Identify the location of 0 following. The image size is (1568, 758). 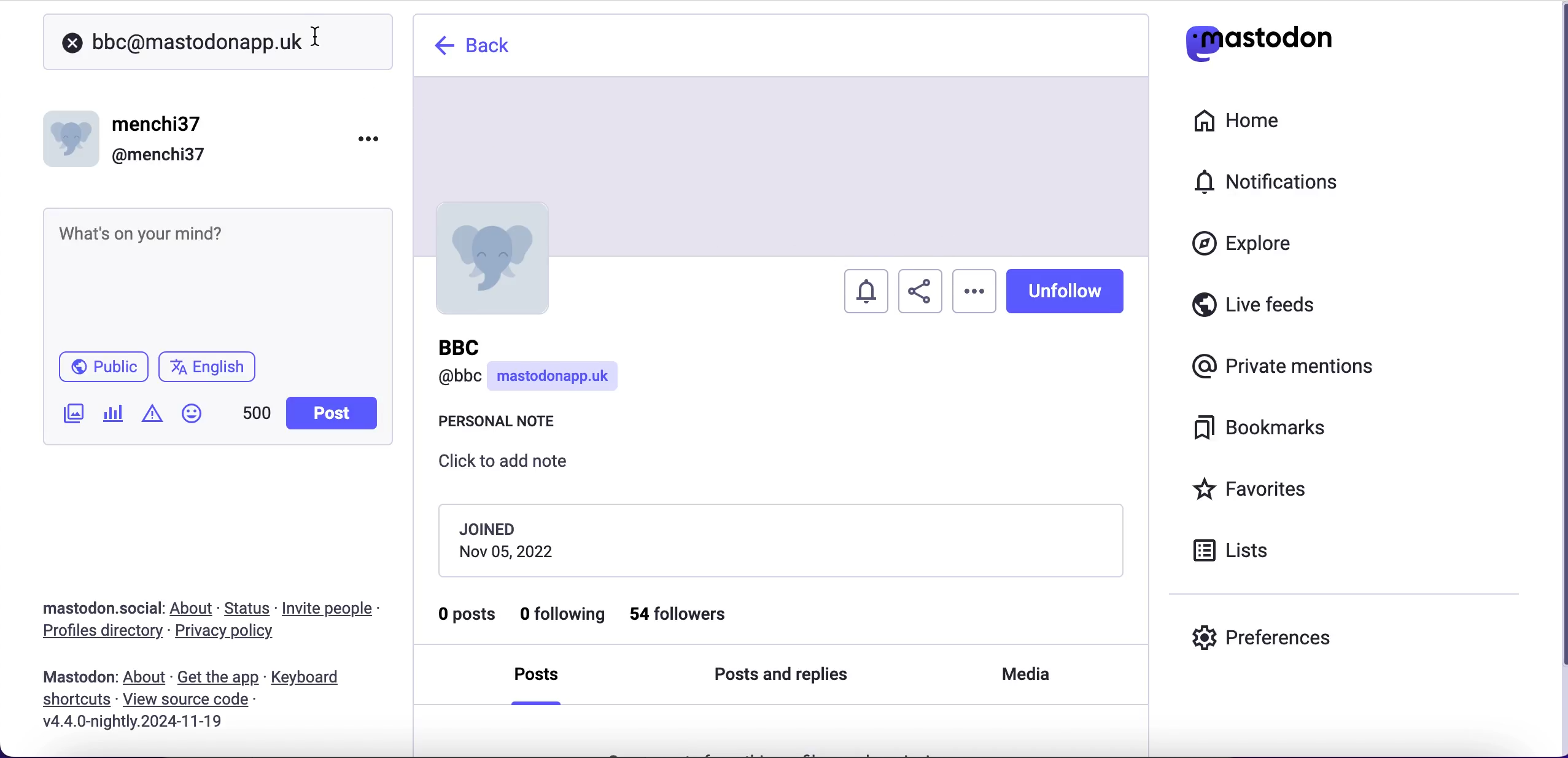
(564, 616).